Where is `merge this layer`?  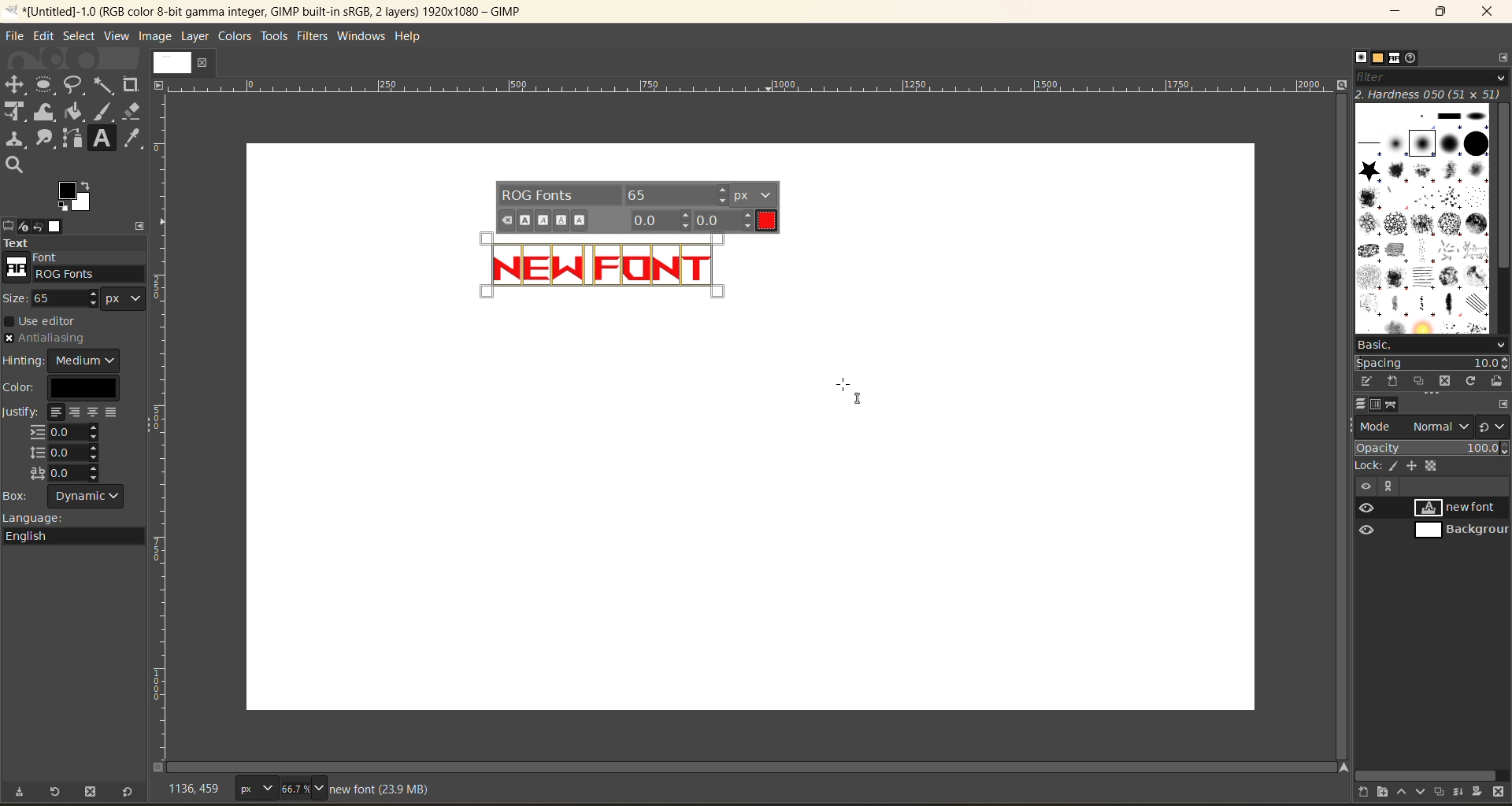
merge this layer is located at coordinates (1464, 793).